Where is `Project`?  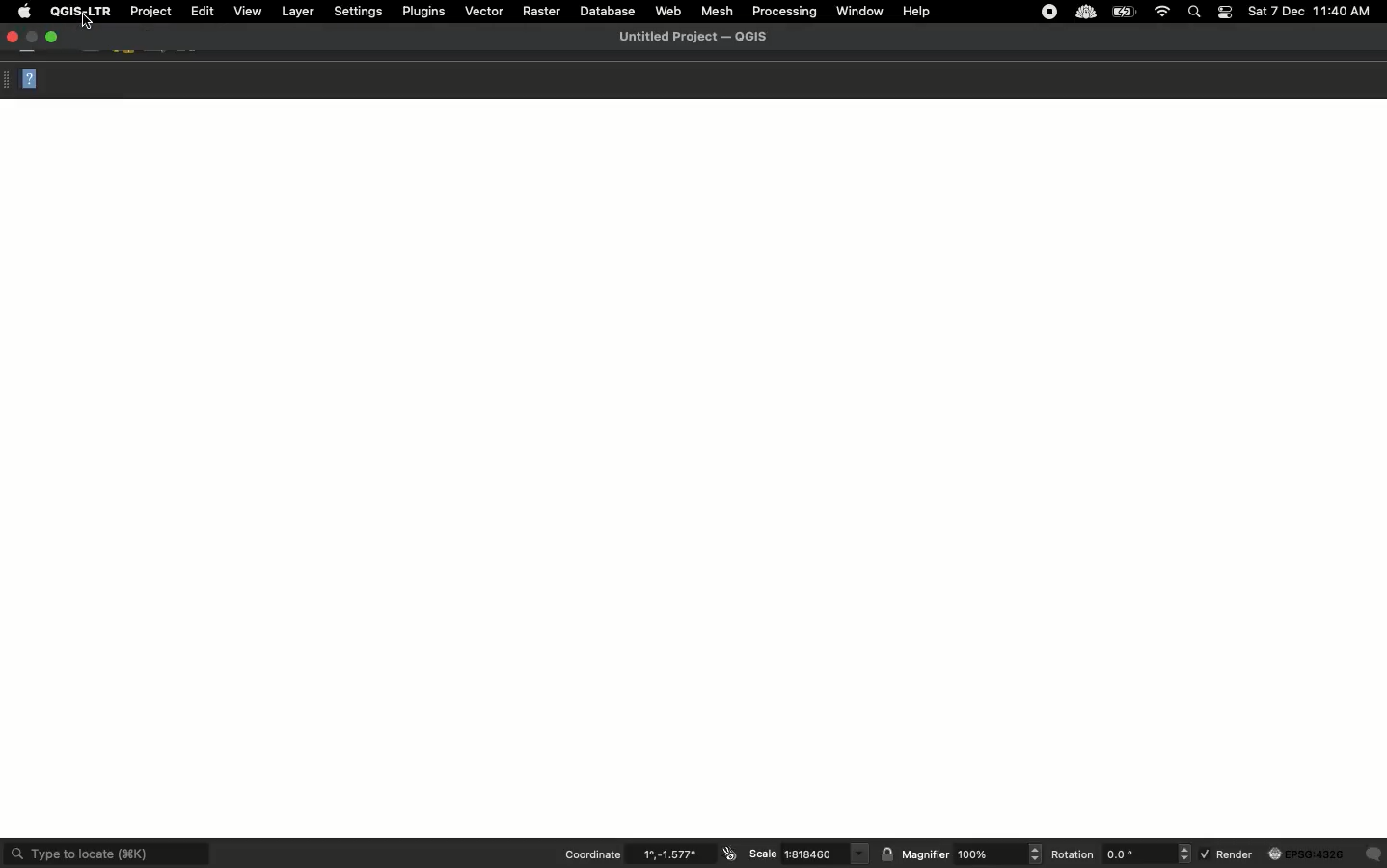 Project is located at coordinates (153, 12).